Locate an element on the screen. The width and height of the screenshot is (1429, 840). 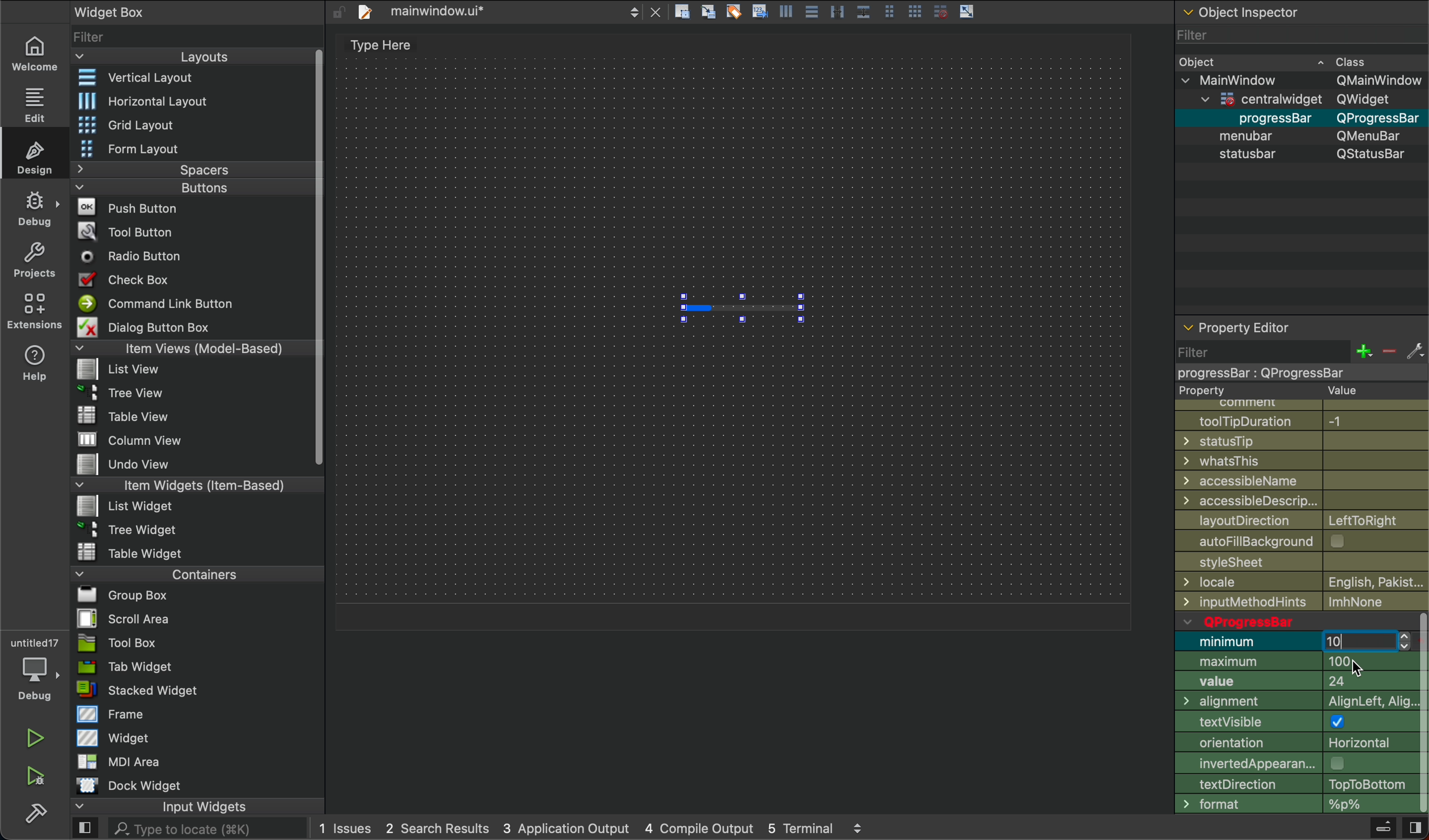
statustip is located at coordinates (1303, 441).